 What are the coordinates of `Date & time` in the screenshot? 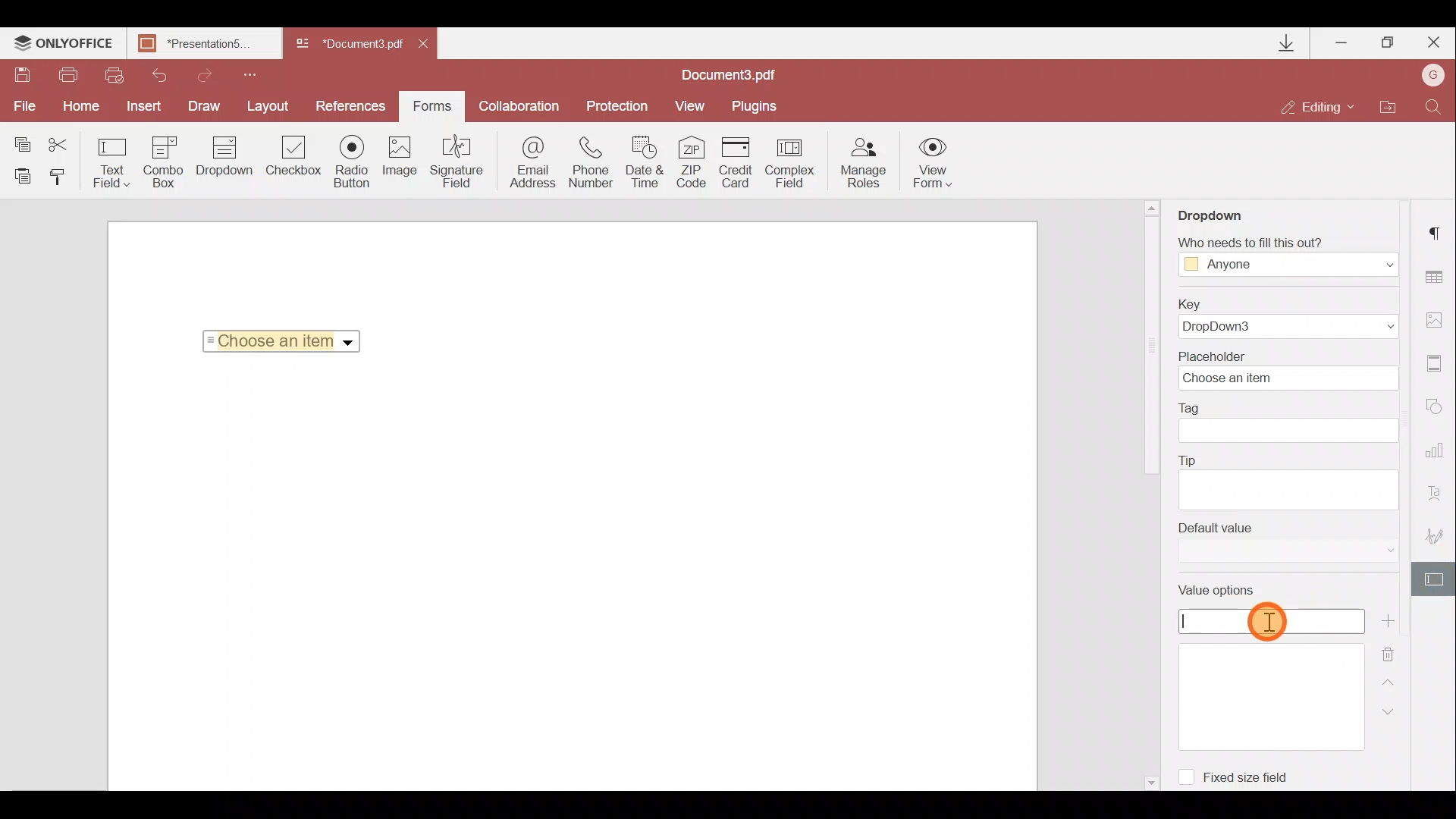 It's located at (648, 162).